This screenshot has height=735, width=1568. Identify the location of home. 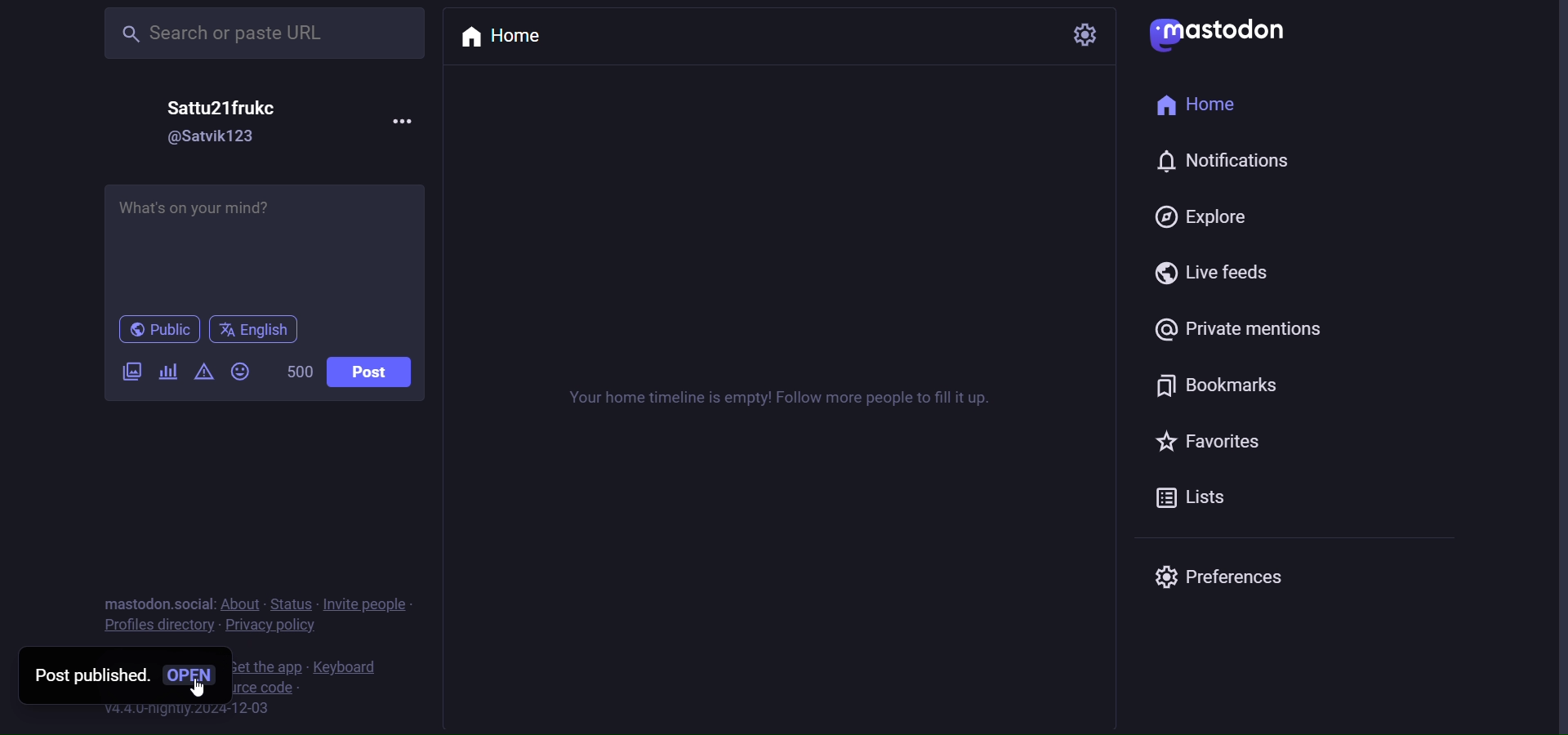
(508, 40).